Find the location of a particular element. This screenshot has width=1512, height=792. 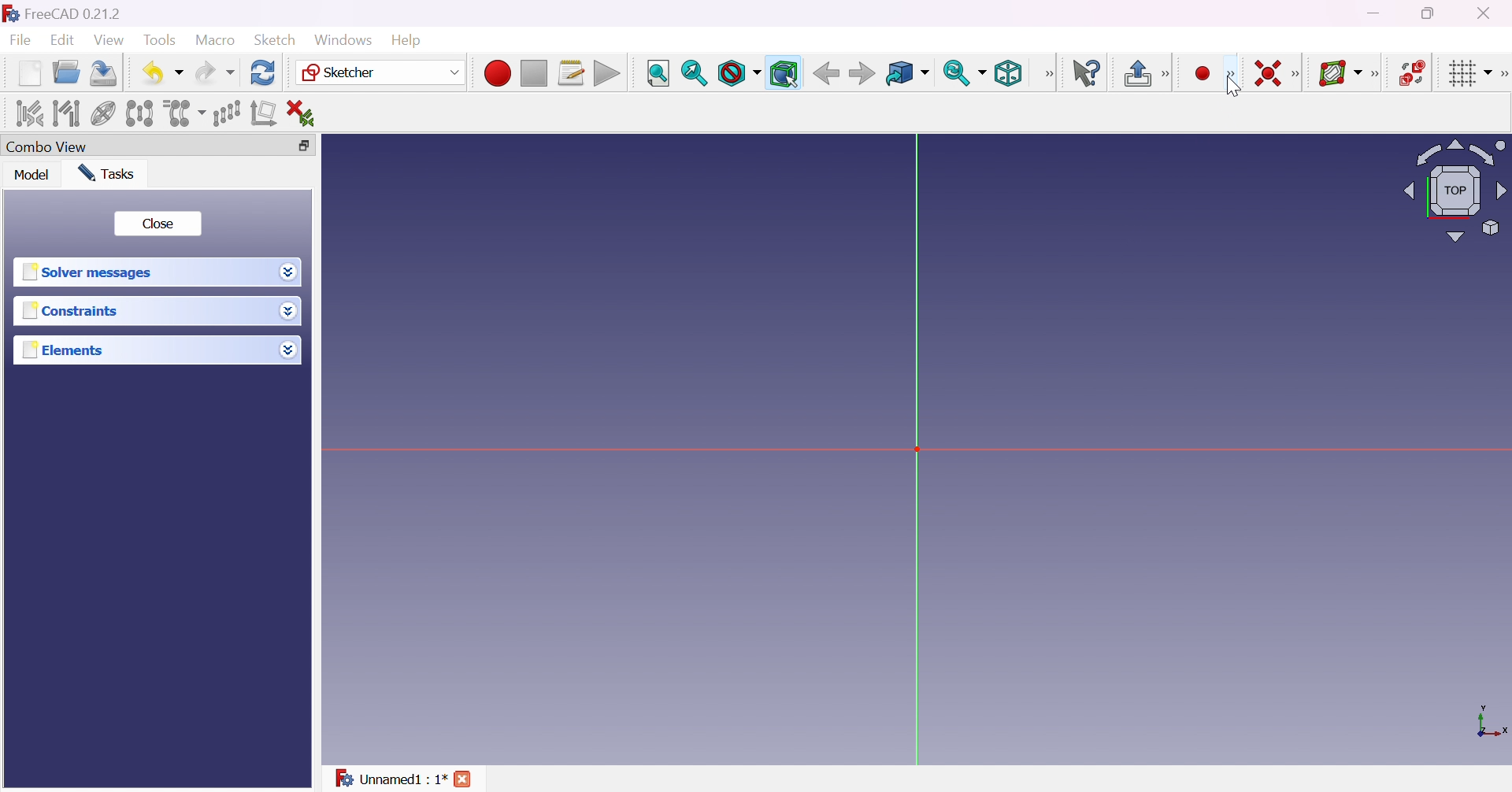

Leave sketch is located at coordinates (1147, 73).